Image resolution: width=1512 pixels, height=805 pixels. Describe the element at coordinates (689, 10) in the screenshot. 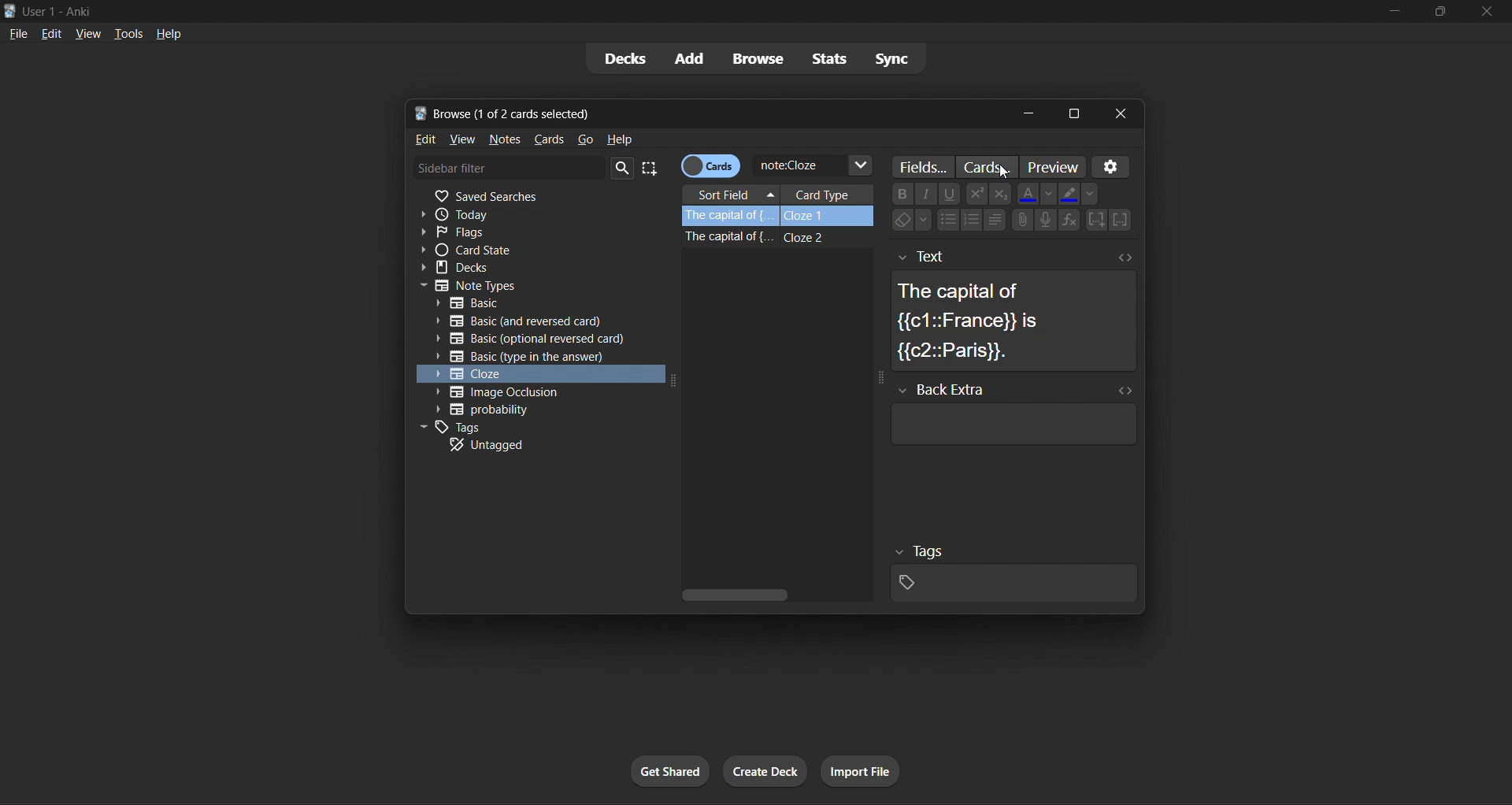

I see `title bar` at that location.